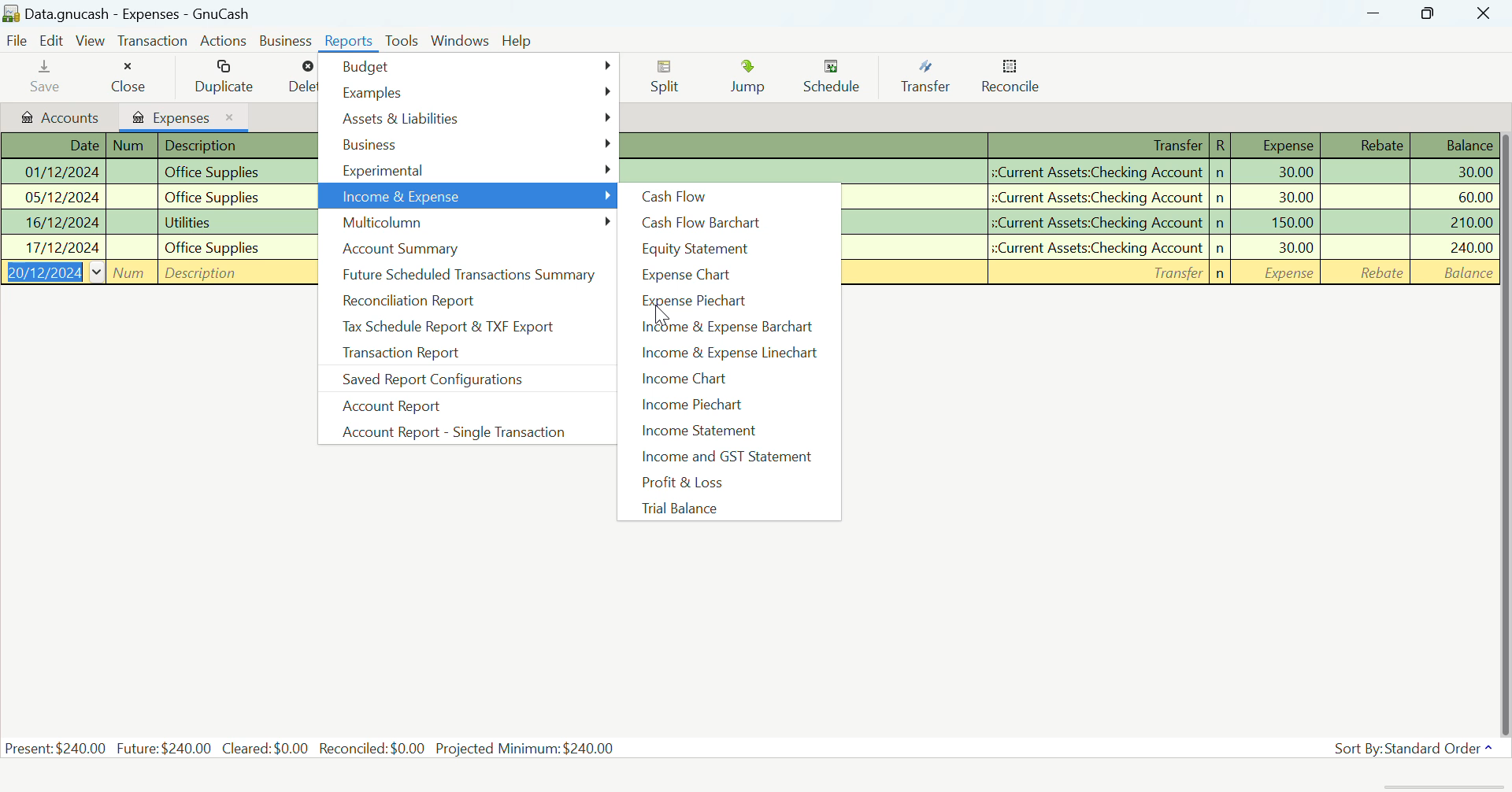  I want to click on Account Summary, so click(462, 250).